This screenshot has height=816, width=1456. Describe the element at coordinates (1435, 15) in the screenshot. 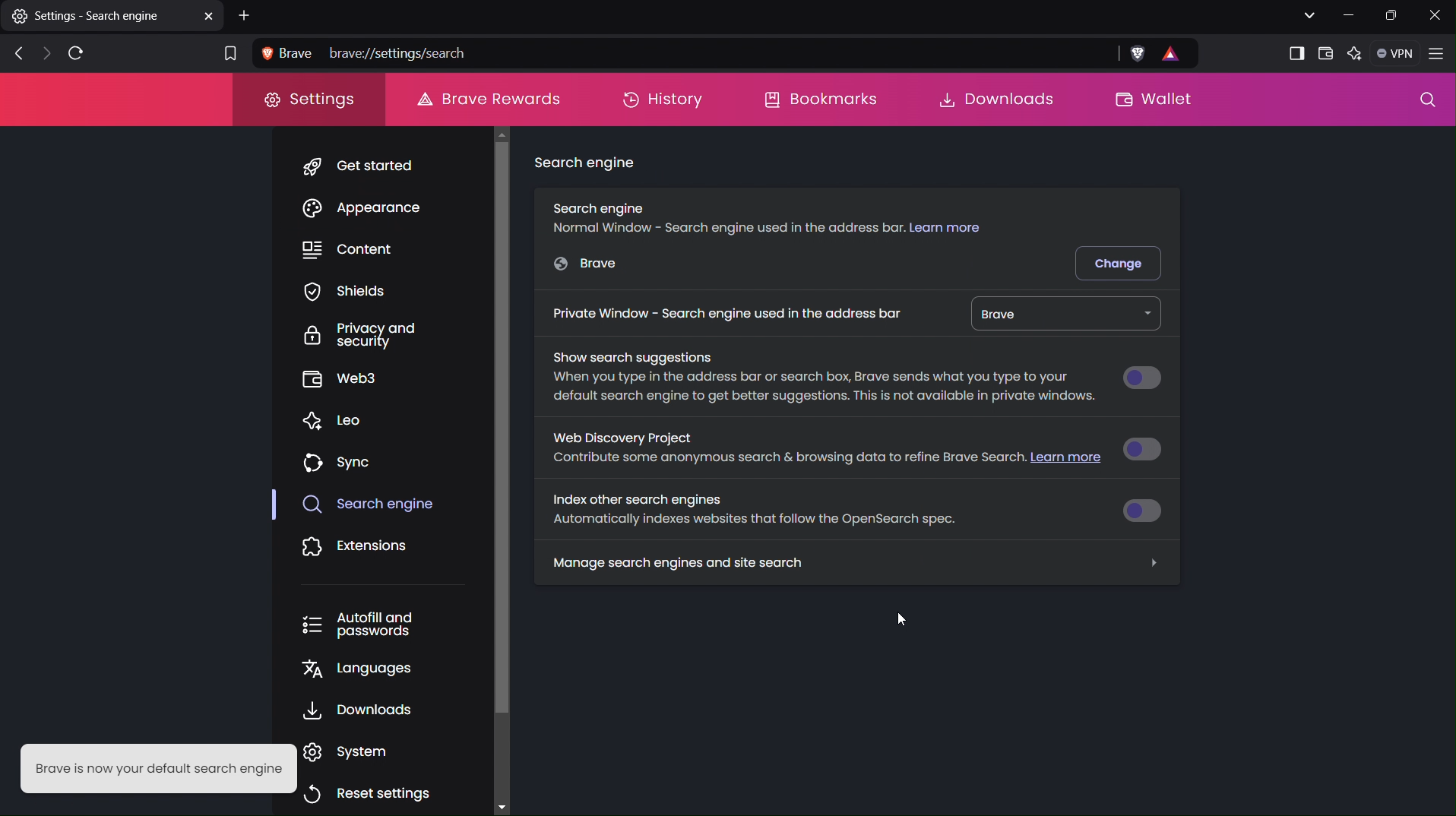

I see `Close` at that location.